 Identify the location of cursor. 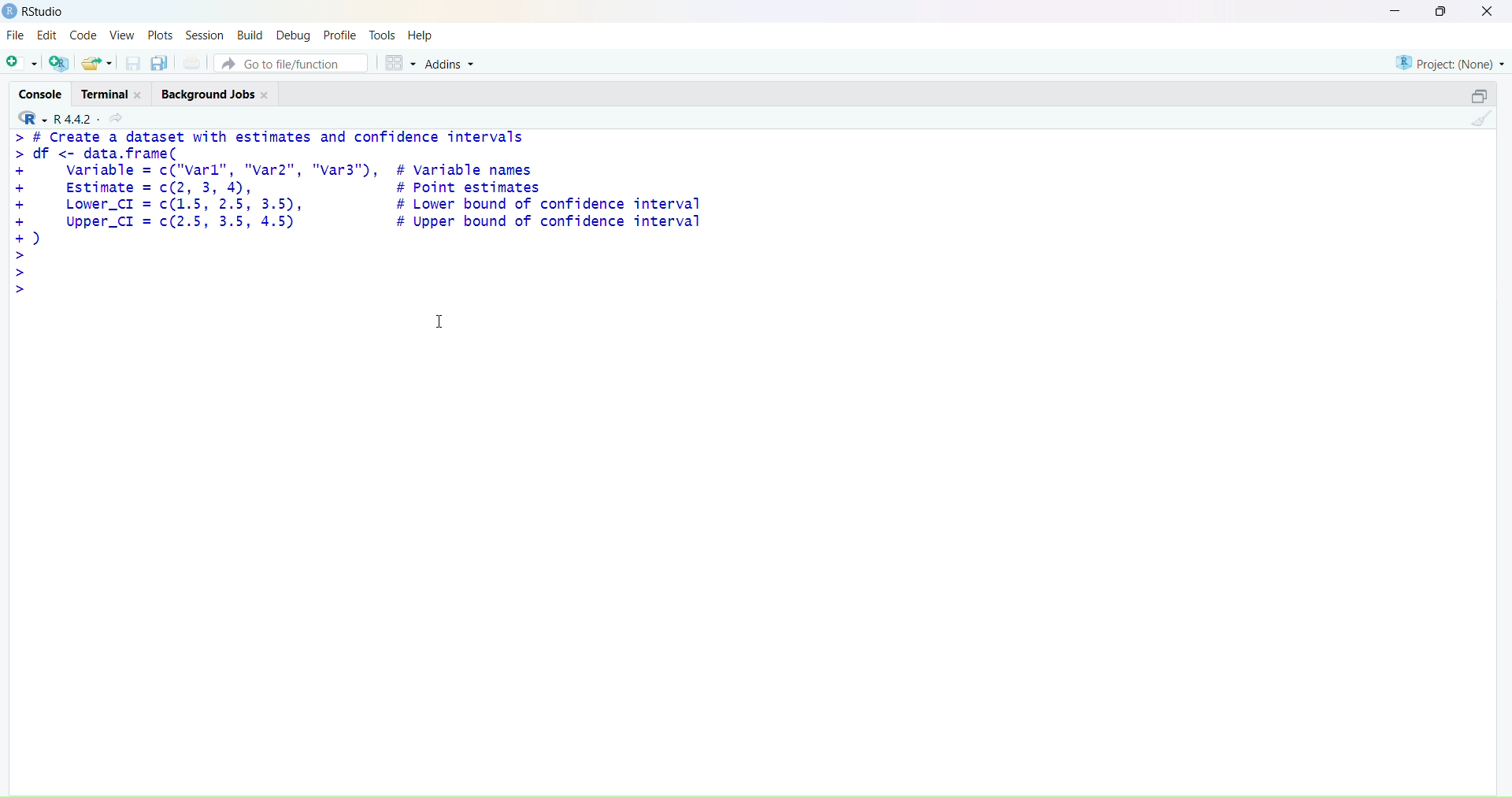
(439, 323).